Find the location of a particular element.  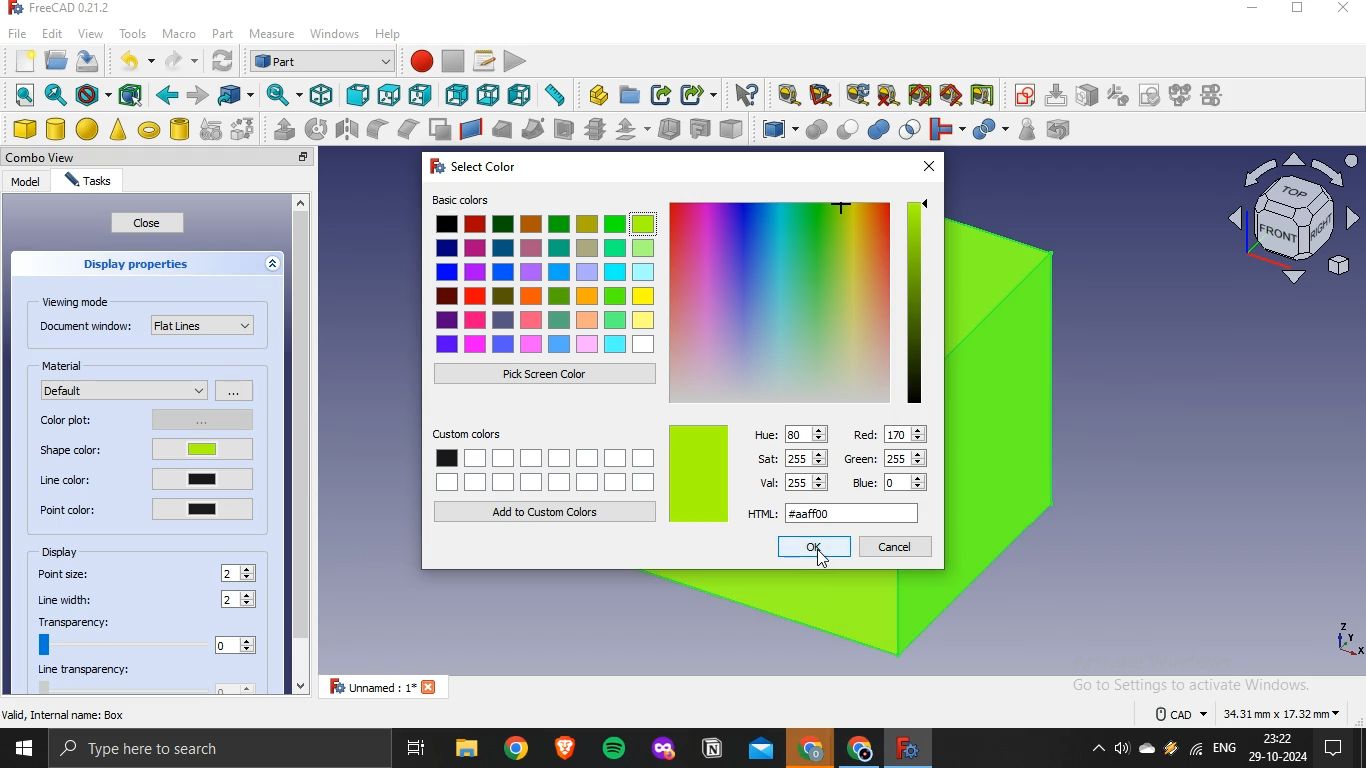

bounding box is located at coordinates (131, 95).